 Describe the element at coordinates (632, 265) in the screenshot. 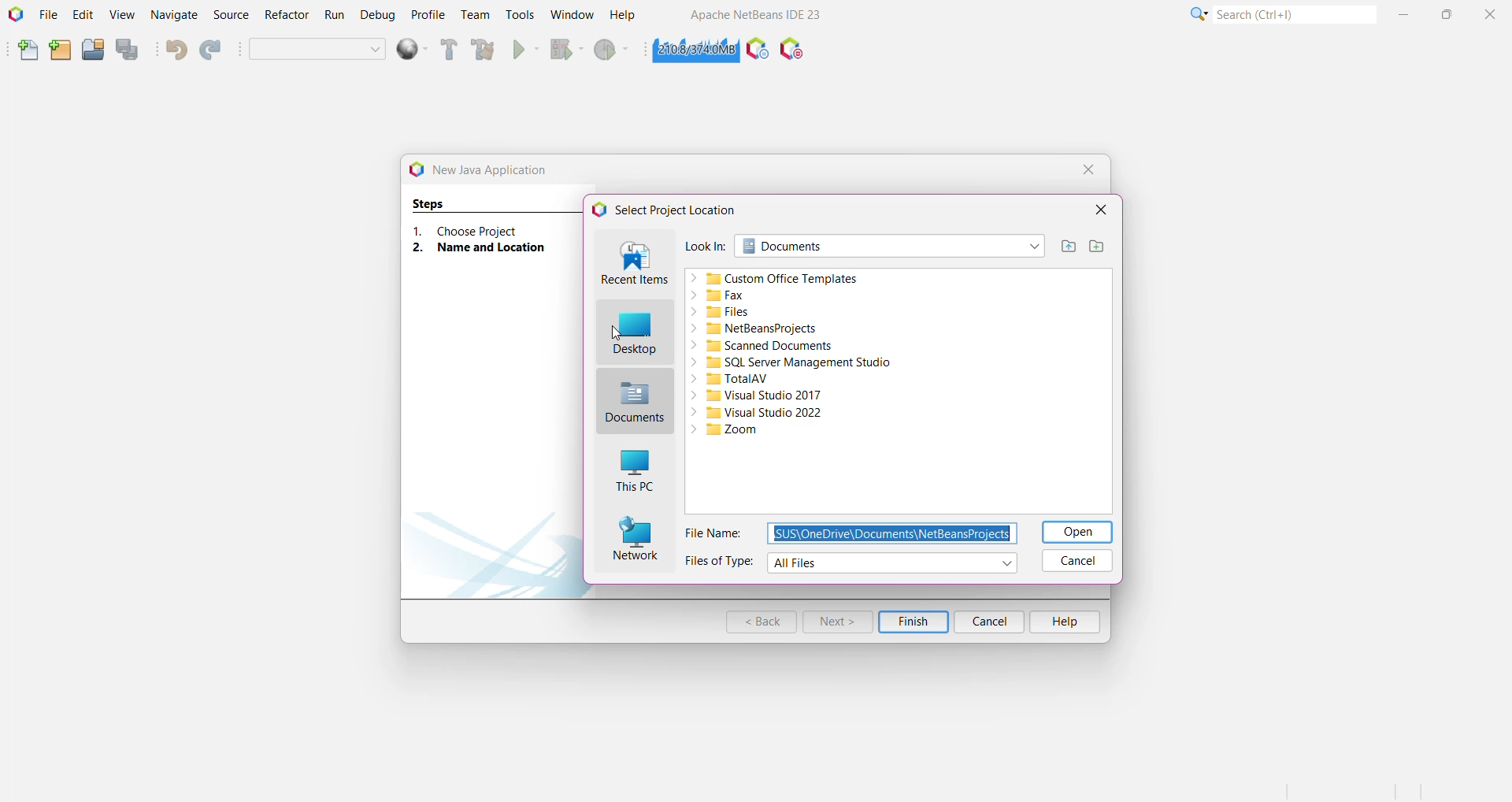

I see `Recent Items` at that location.